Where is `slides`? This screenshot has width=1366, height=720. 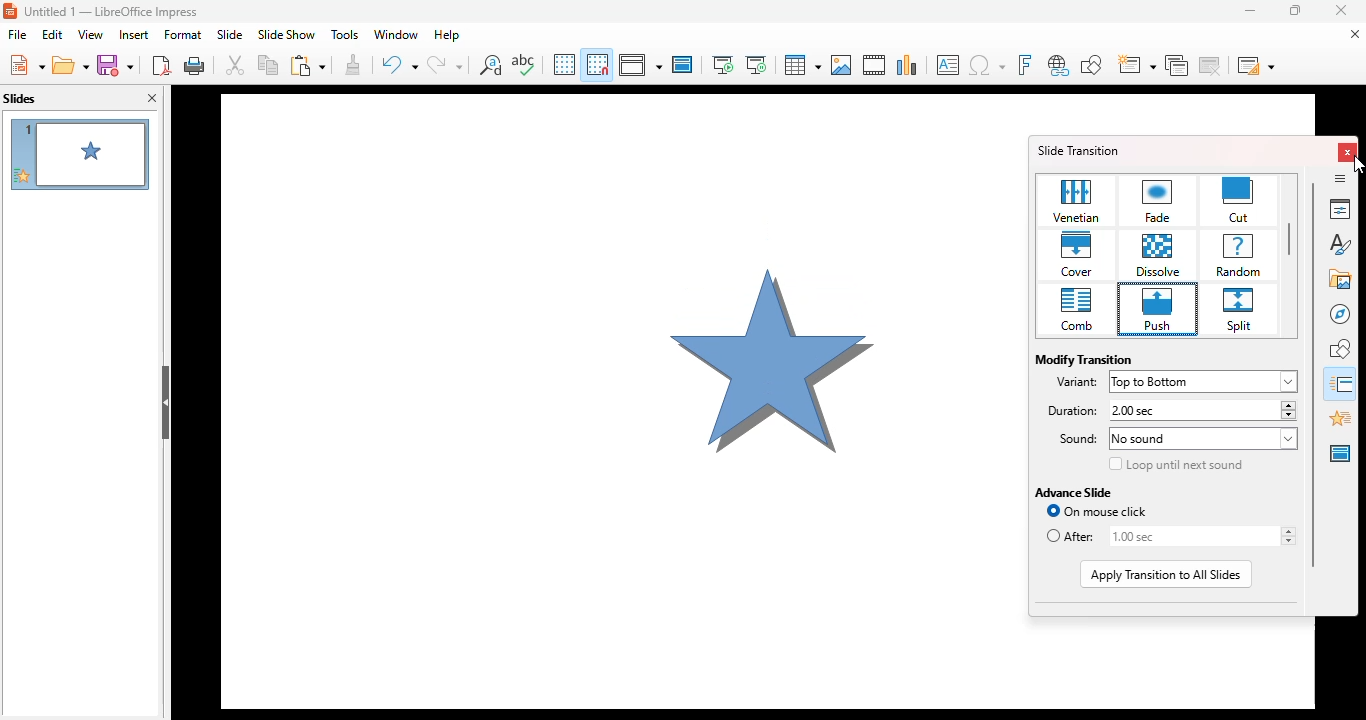
slides is located at coordinates (20, 98).